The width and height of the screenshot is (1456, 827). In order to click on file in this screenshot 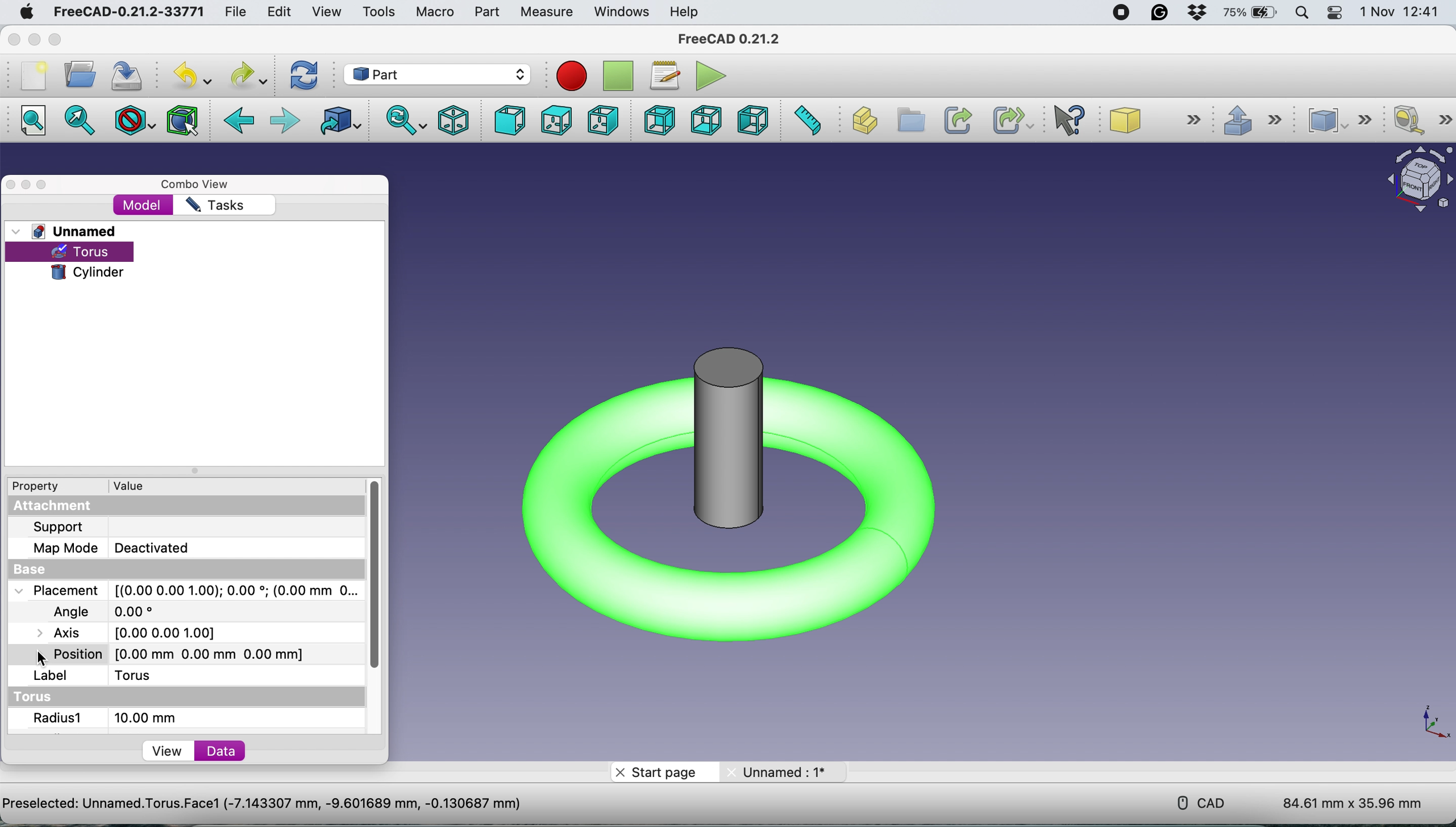, I will do `click(236, 12)`.